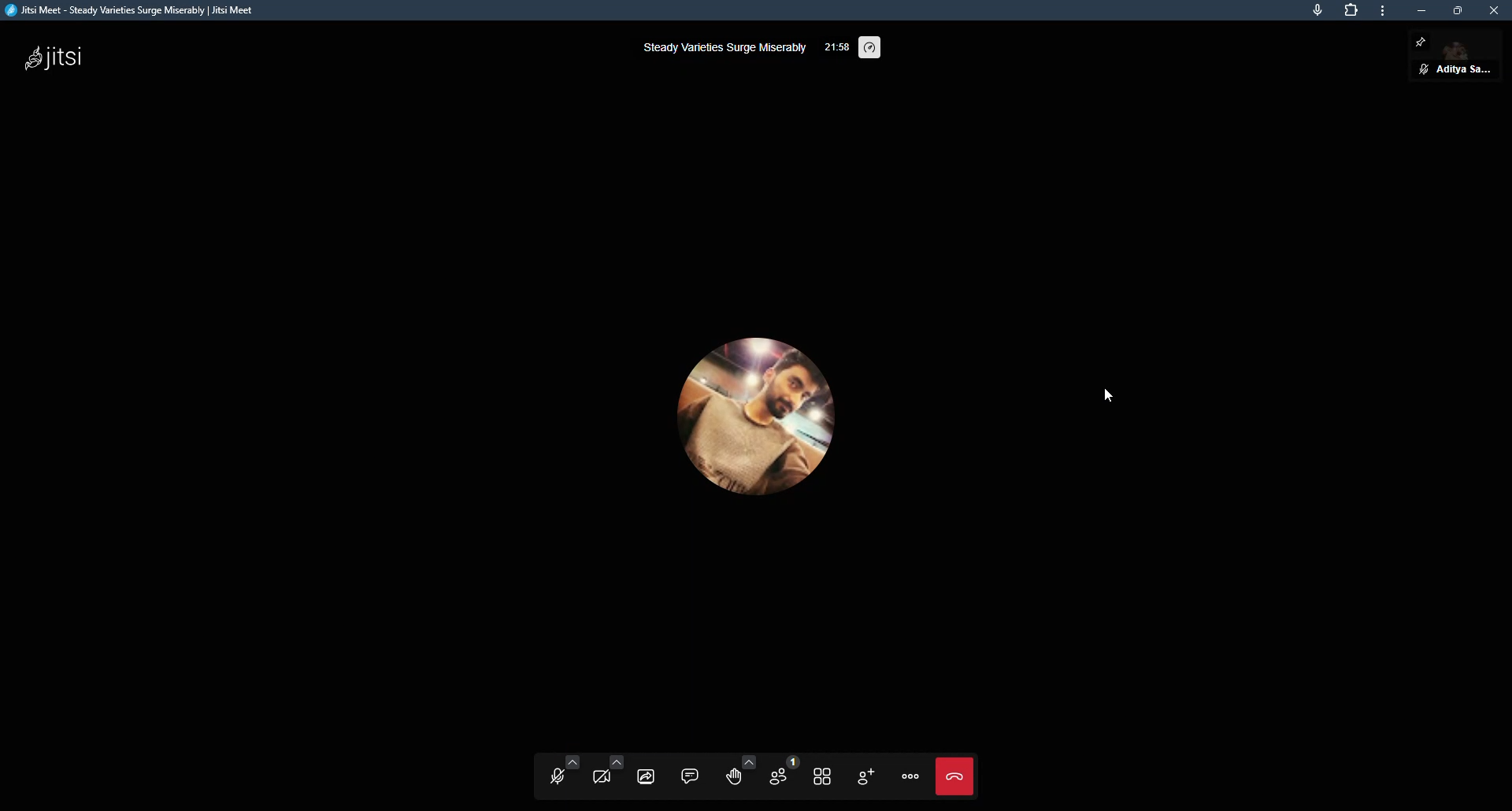 This screenshot has height=811, width=1512. I want to click on performance setting, so click(870, 47).